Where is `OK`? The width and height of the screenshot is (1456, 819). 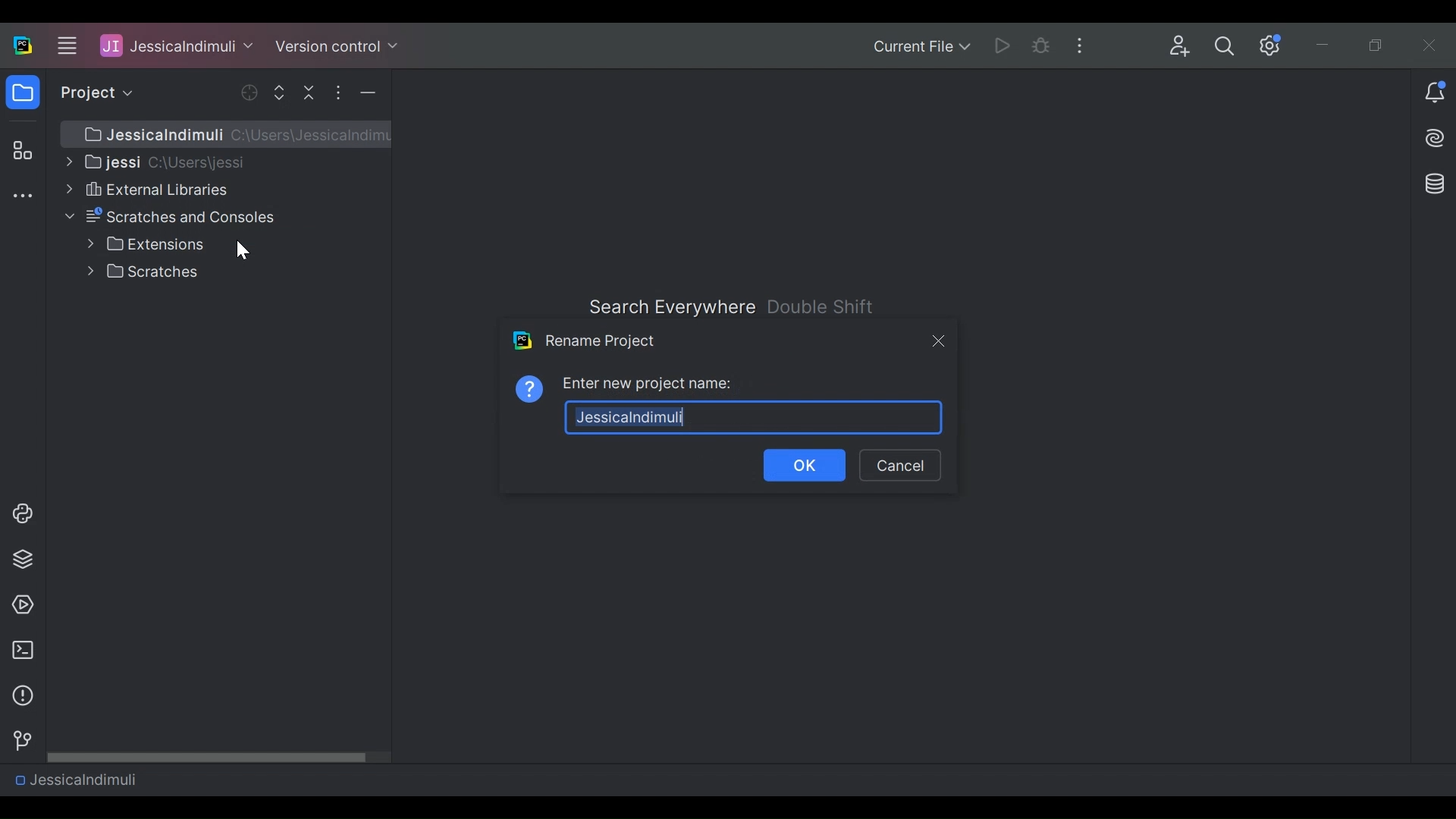
OK is located at coordinates (806, 466).